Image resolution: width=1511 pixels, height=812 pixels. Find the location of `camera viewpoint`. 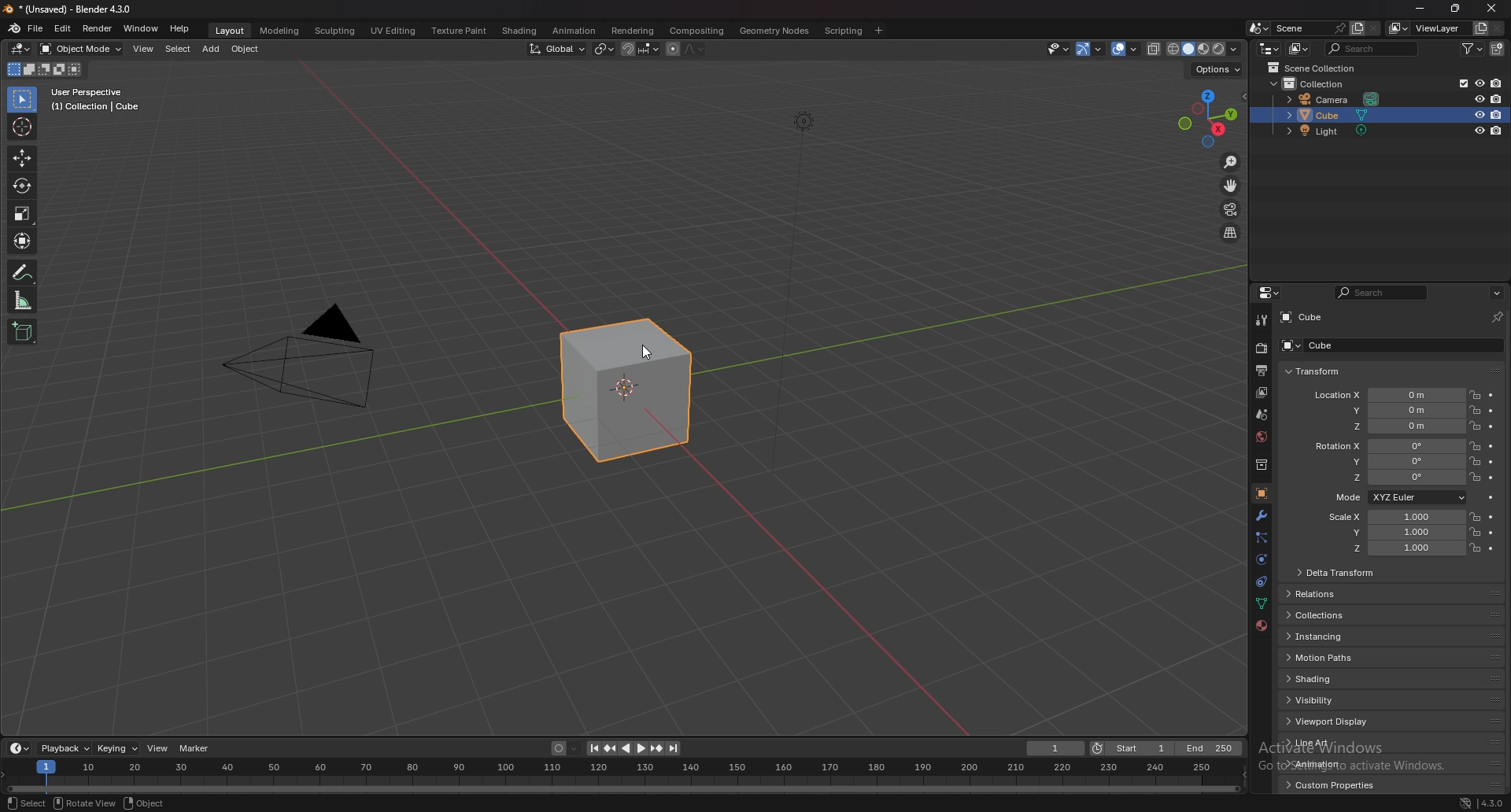

camera viewpoint is located at coordinates (1230, 210).